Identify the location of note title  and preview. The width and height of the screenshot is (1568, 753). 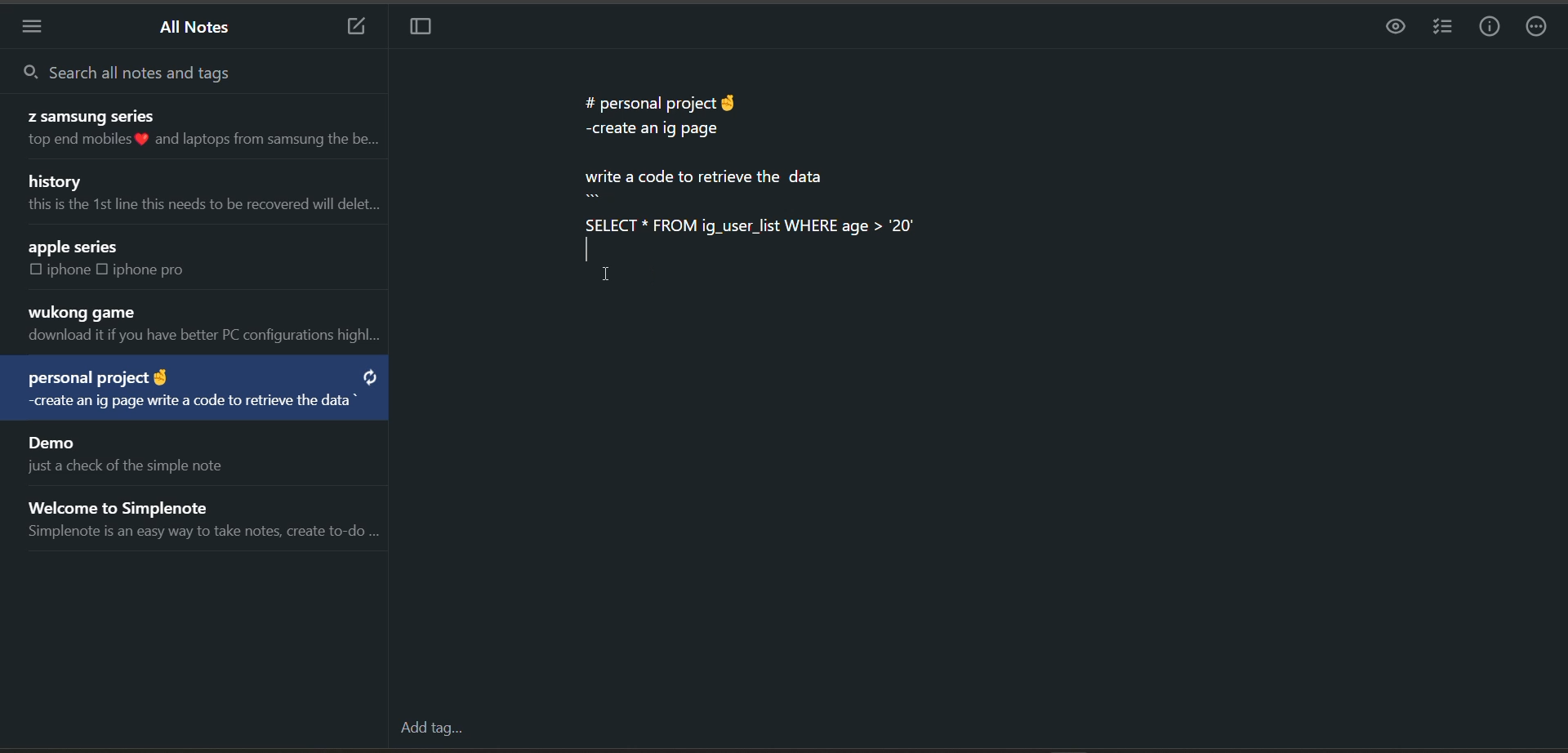
(191, 130).